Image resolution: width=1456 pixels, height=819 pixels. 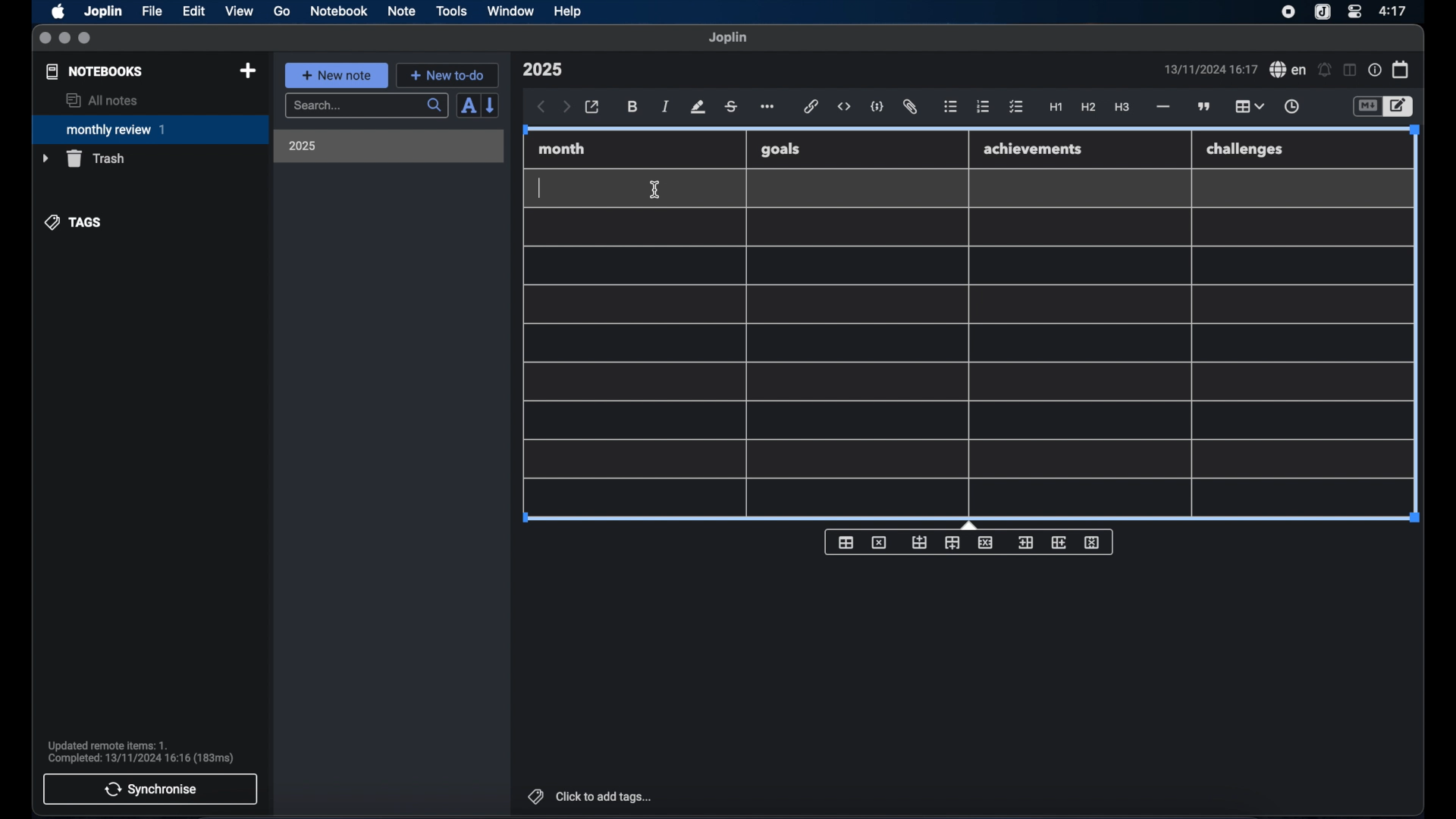 What do you see at coordinates (1056, 108) in the screenshot?
I see `heading 1` at bounding box center [1056, 108].